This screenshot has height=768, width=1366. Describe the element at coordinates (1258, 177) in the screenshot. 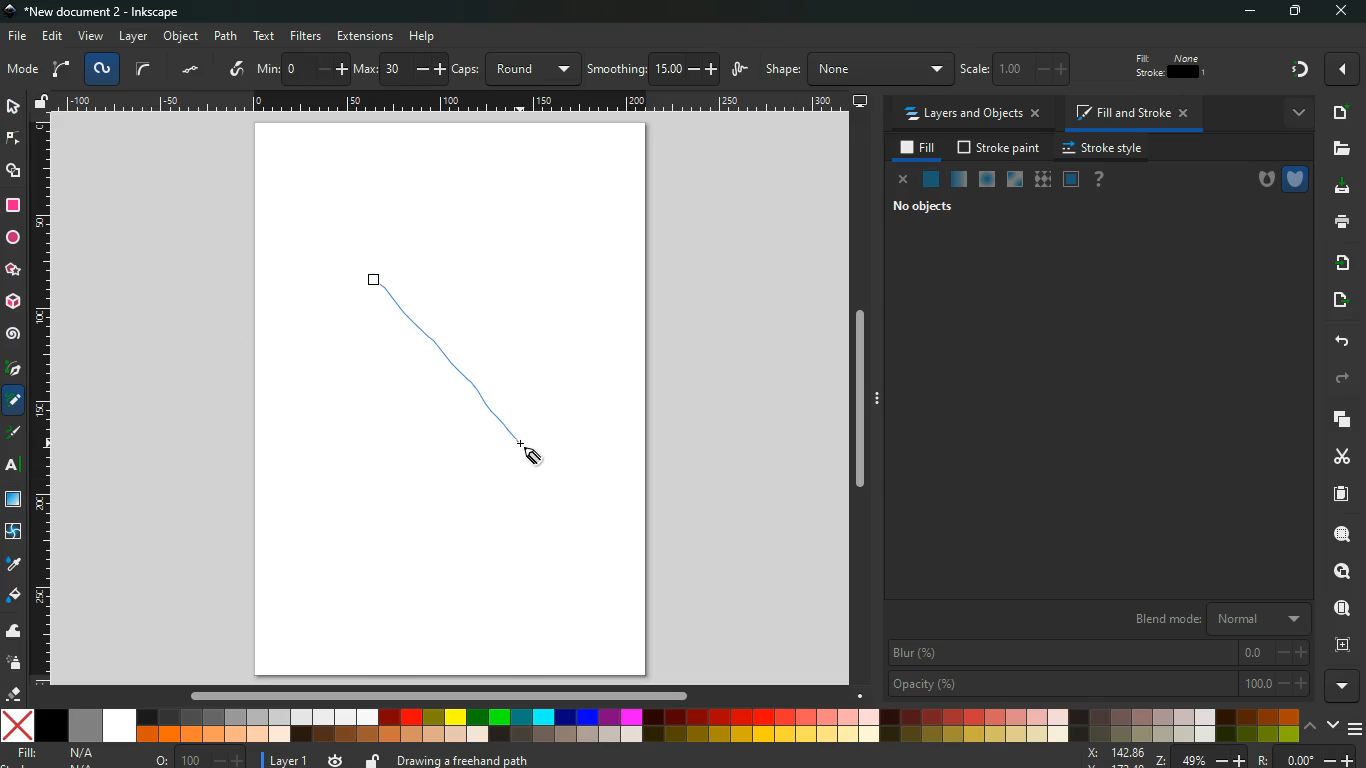

I see `hole` at that location.